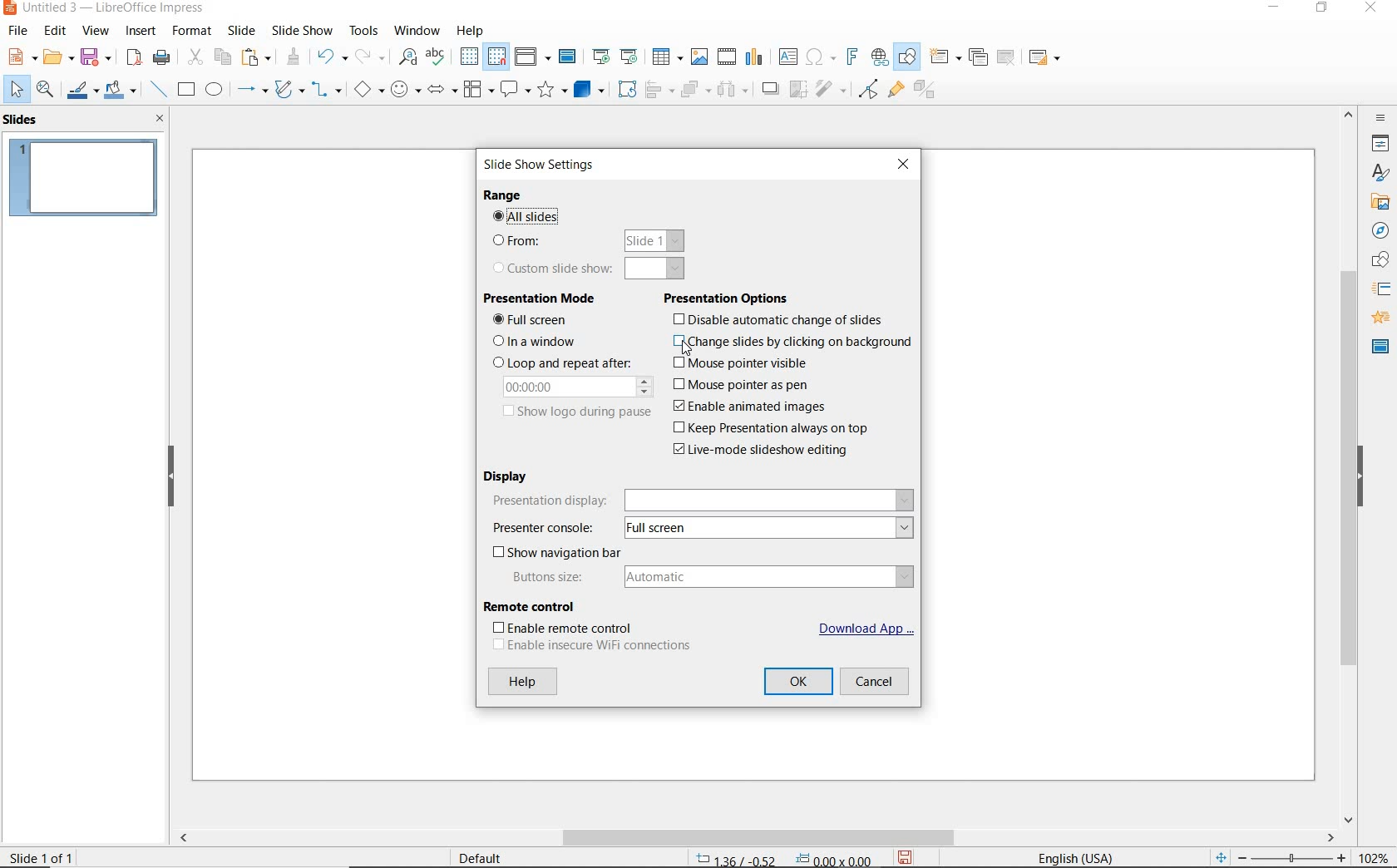  I want to click on PASTE, so click(255, 57).